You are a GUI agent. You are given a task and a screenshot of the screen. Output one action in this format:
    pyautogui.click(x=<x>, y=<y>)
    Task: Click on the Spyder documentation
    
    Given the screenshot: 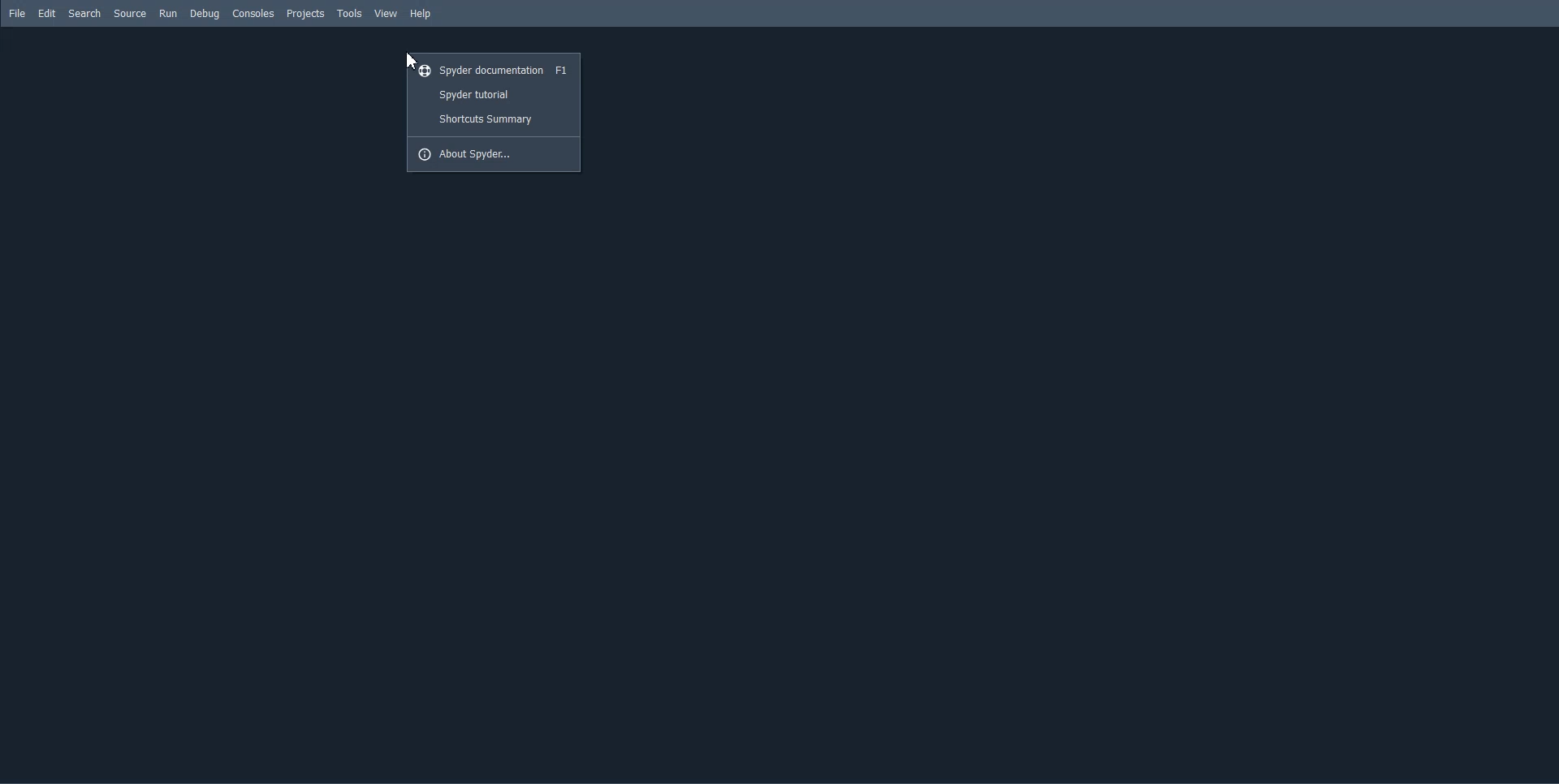 What is the action you would take?
    pyautogui.click(x=494, y=68)
    